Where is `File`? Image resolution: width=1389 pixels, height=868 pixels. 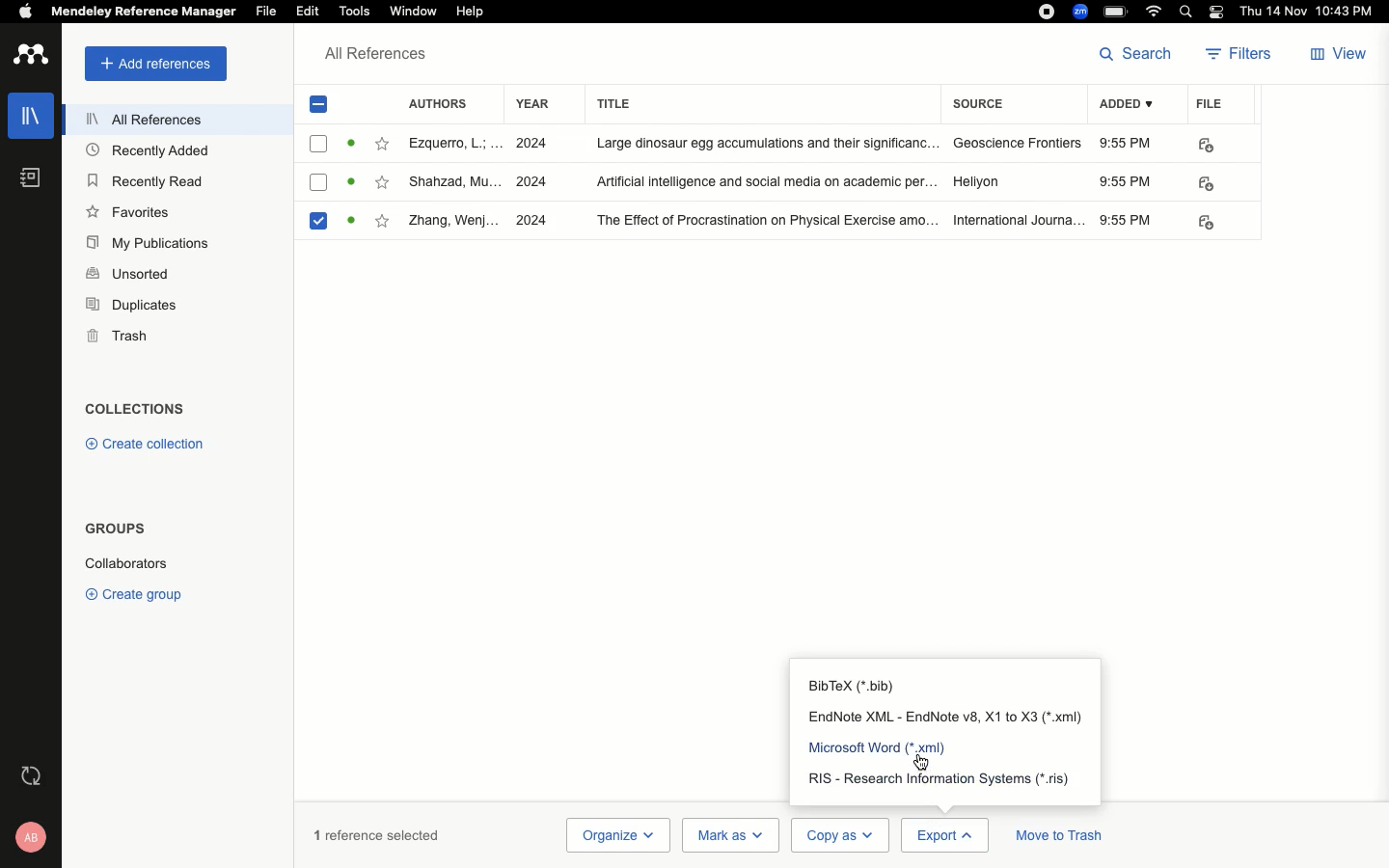 File is located at coordinates (267, 12).